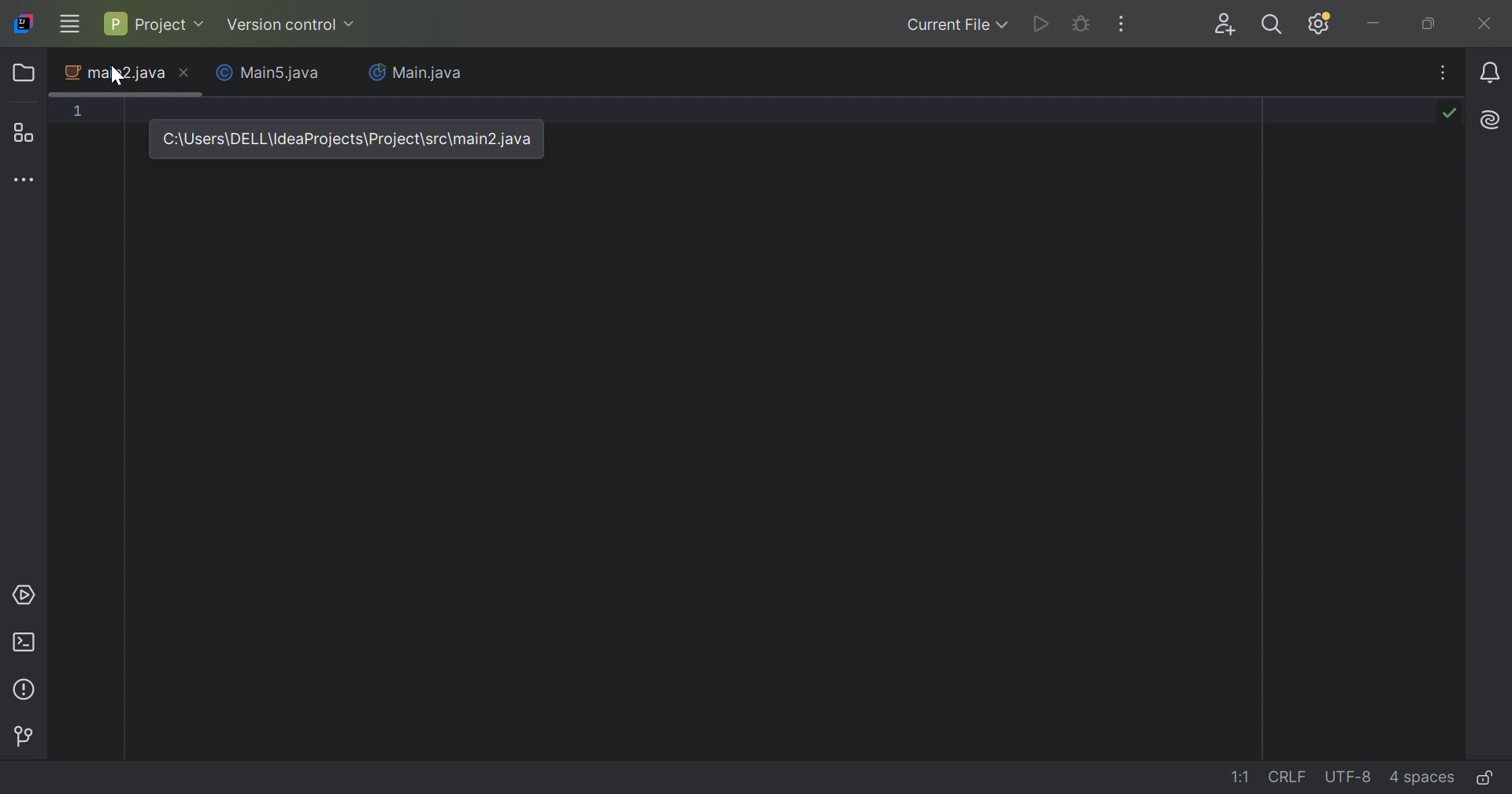  Describe the element at coordinates (1425, 777) in the screenshot. I see `indent: 4 spaces` at that location.